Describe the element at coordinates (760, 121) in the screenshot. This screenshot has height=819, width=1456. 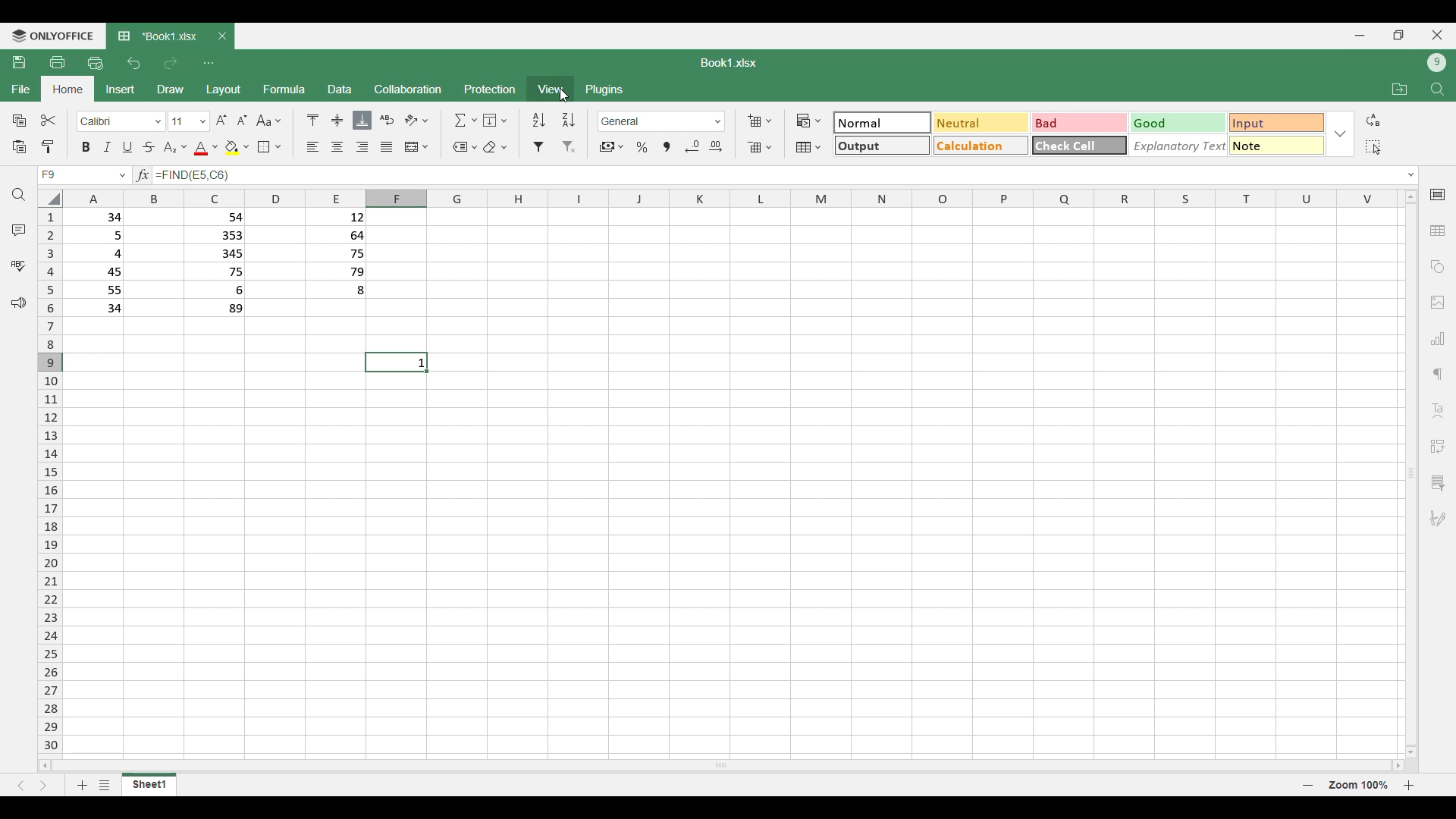
I see `Add cells` at that location.